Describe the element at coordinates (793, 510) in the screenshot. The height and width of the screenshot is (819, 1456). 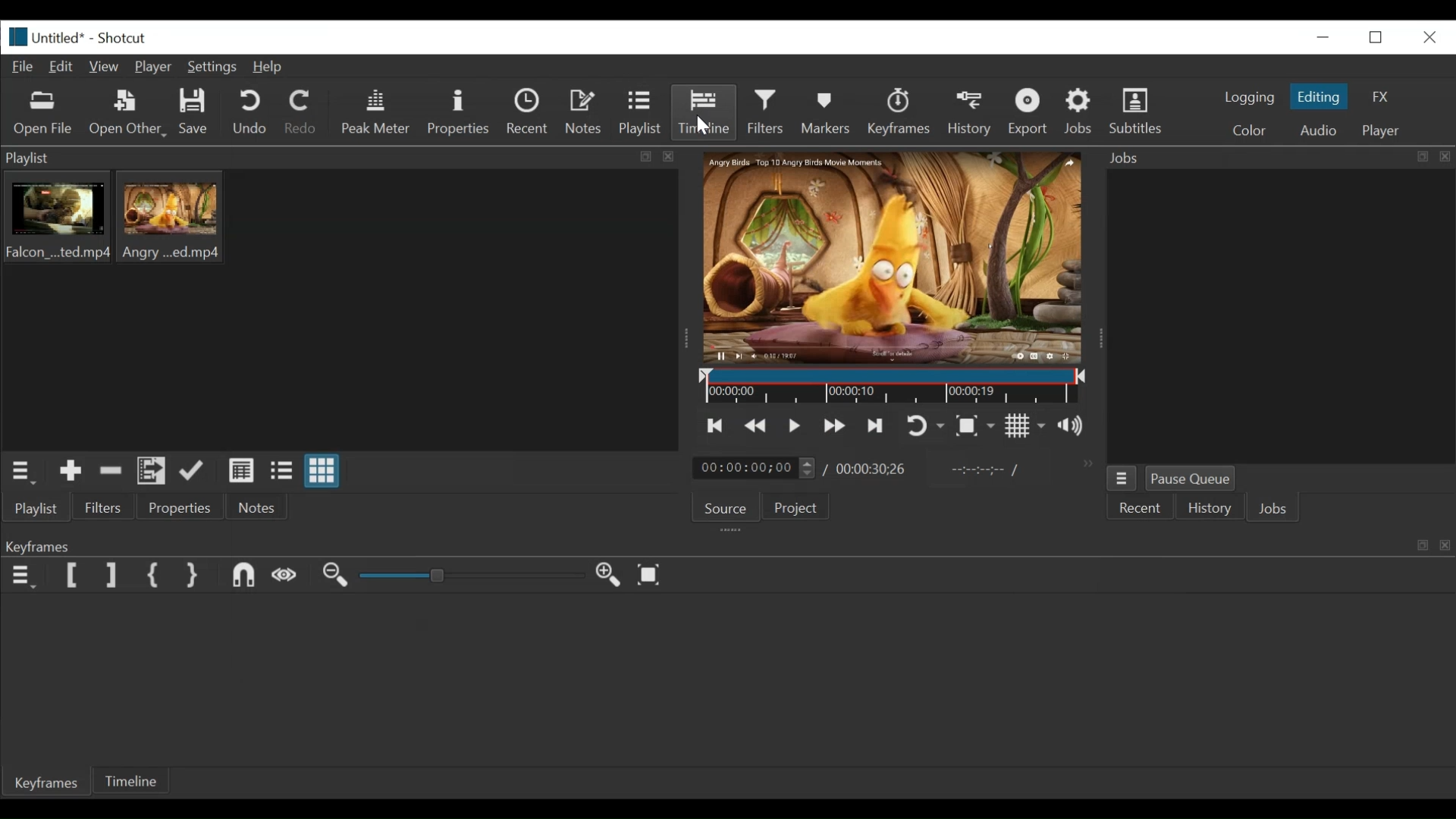
I see `Project` at that location.